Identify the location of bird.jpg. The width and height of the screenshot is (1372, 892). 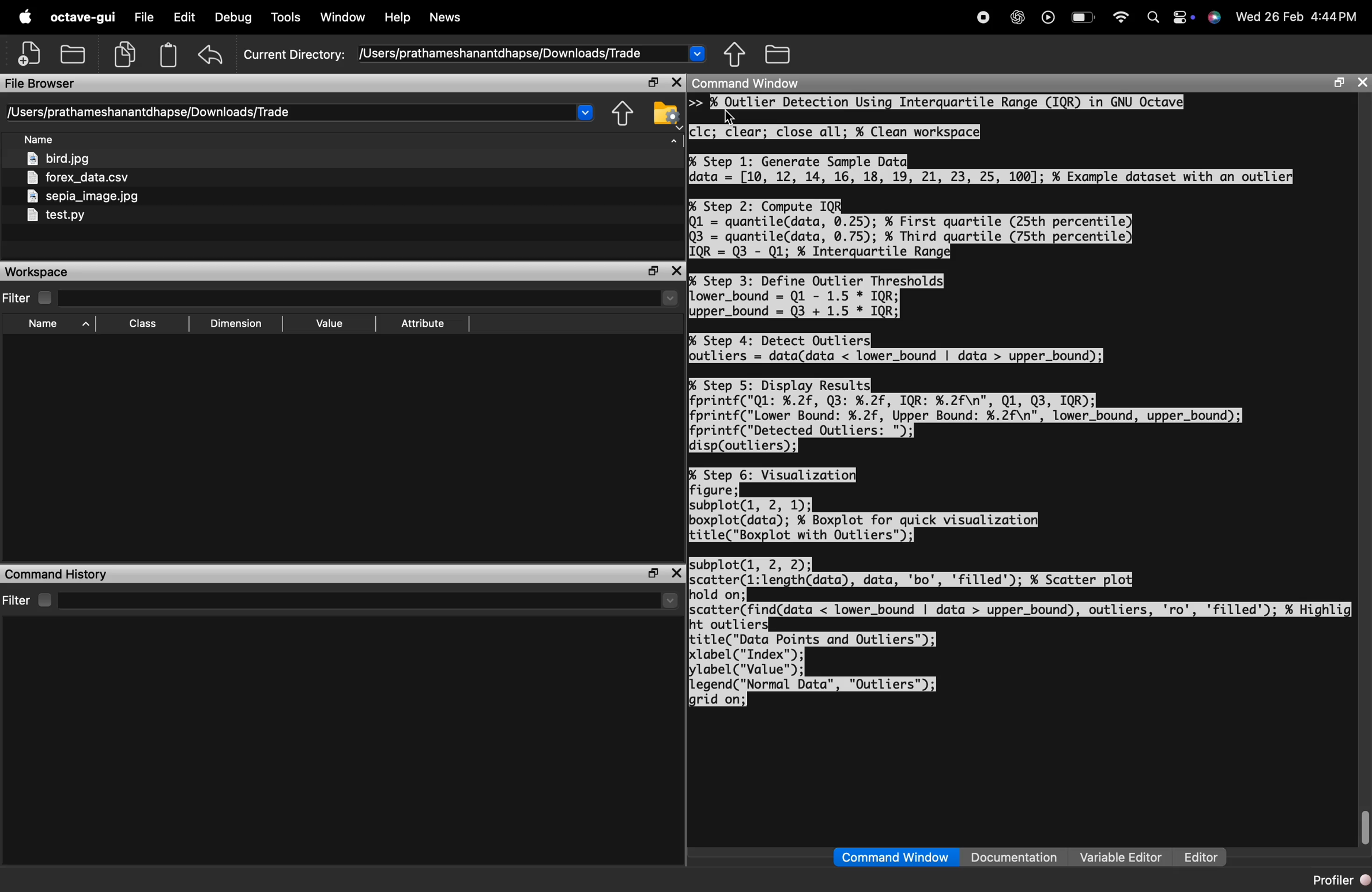
(59, 158).